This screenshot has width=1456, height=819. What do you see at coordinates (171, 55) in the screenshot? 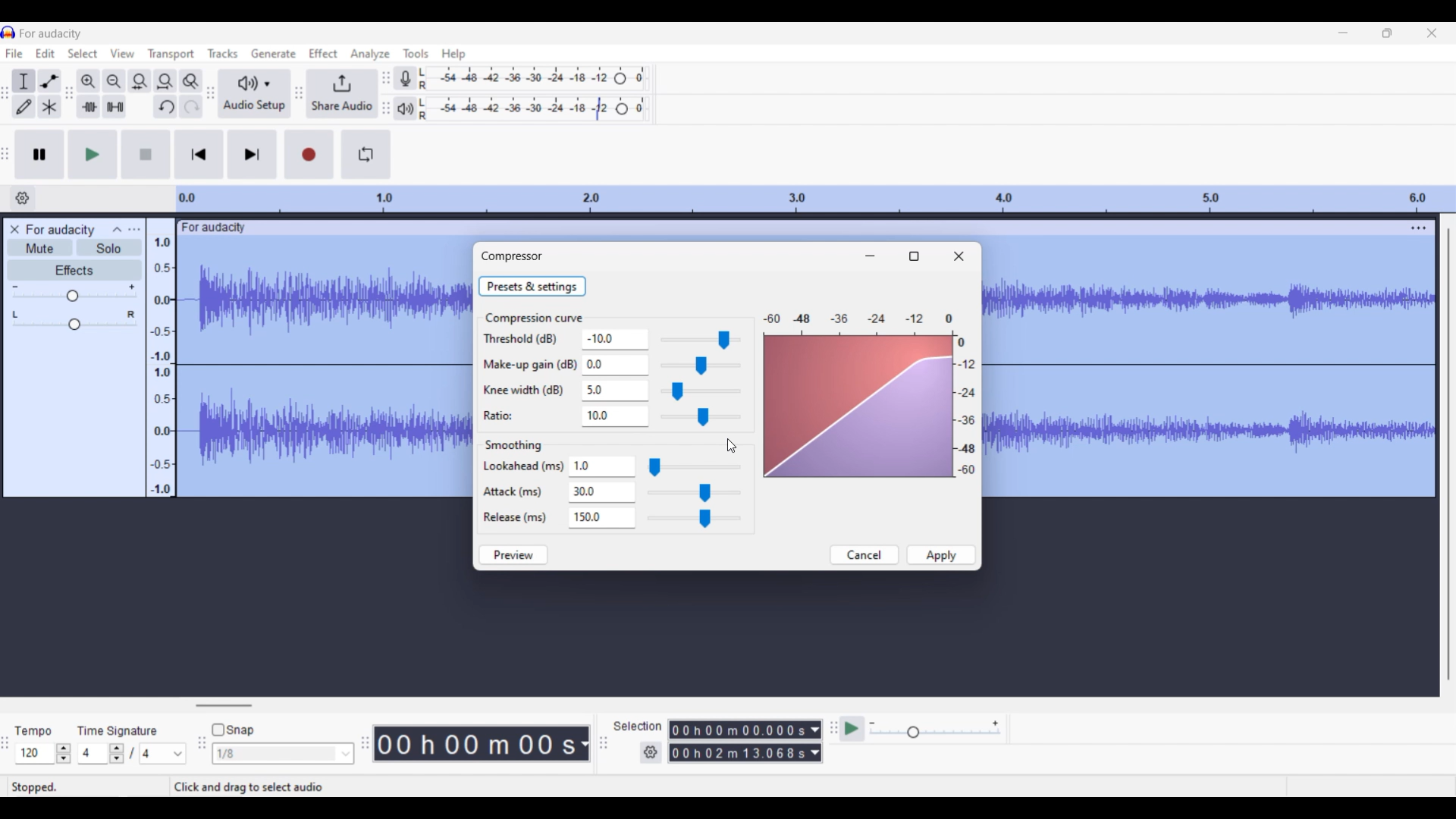
I see `Transport` at bounding box center [171, 55].